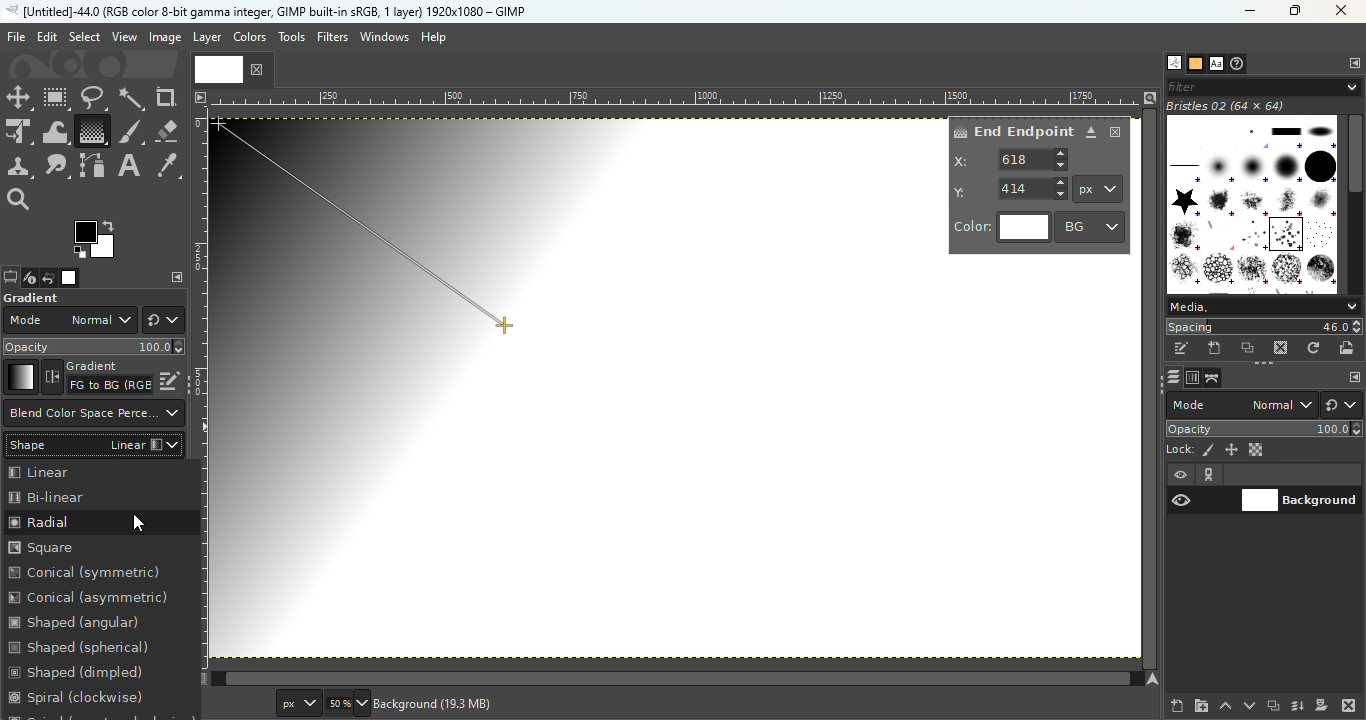  I want to click on Open brush as image, so click(1348, 347).